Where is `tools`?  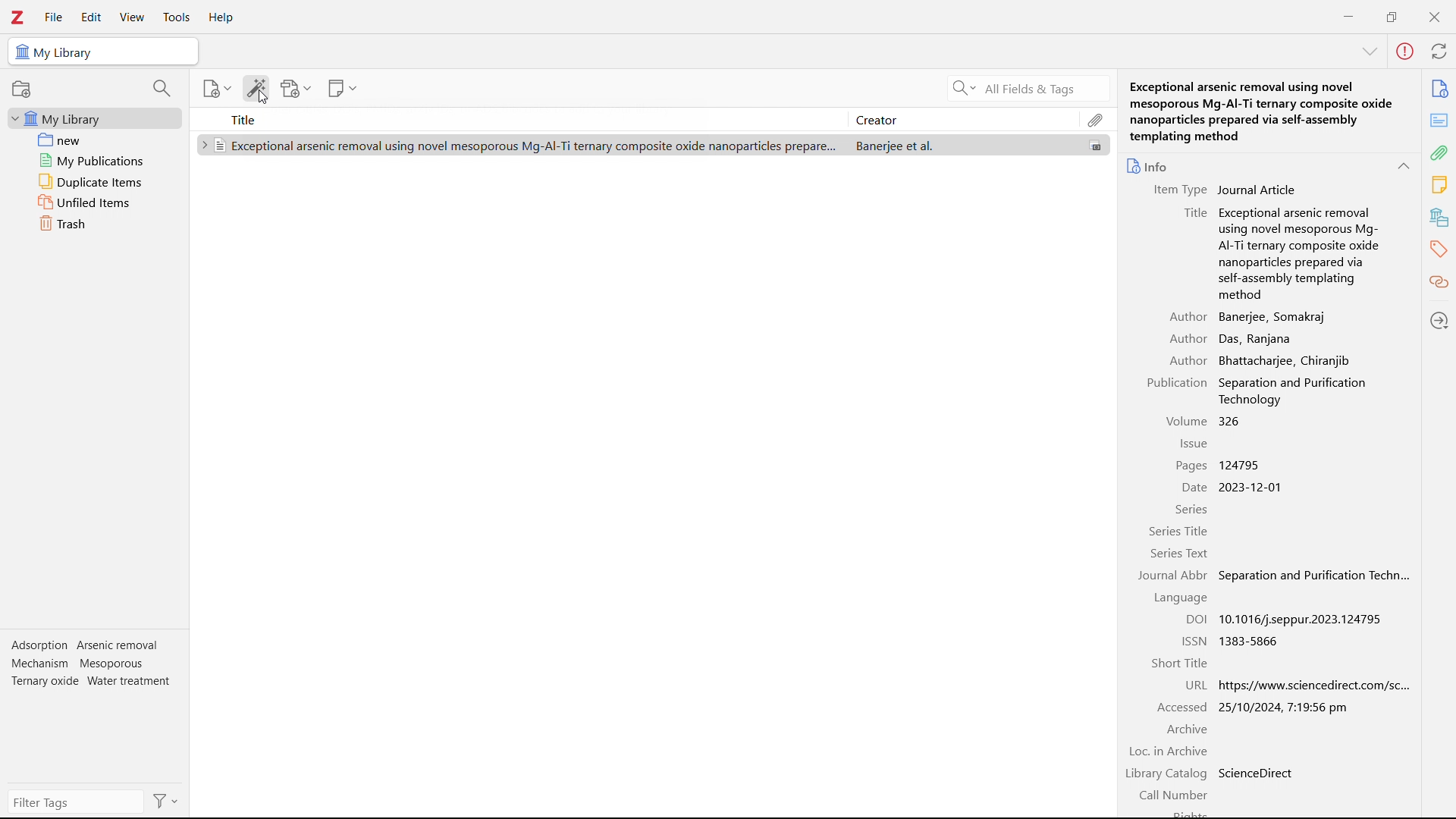 tools is located at coordinates (175, 17).